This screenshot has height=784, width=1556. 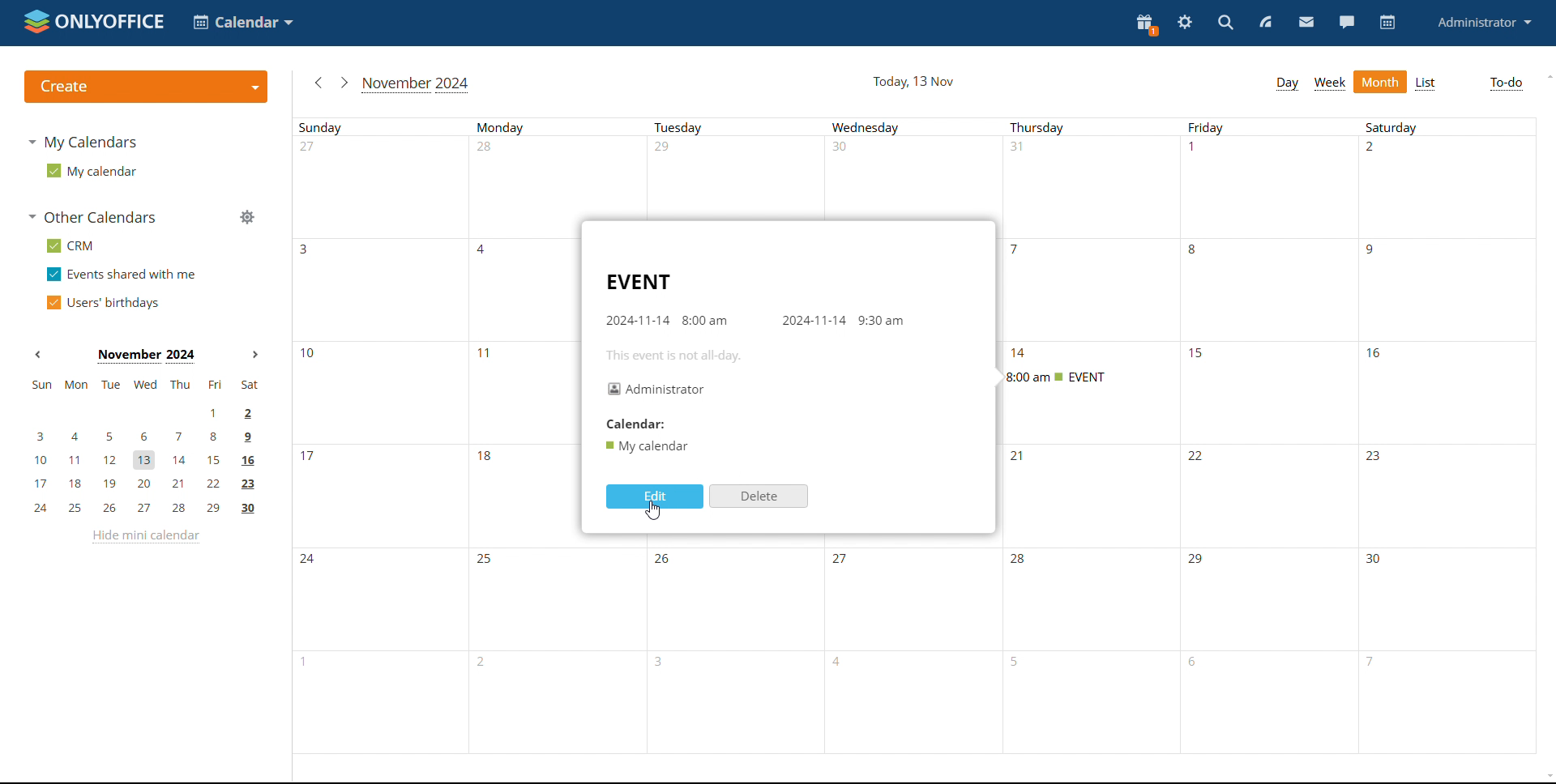 What do you see at coordinates (1546, 76) in the screenshot?
I see `scroll up` at bounding box center [1546, 76].